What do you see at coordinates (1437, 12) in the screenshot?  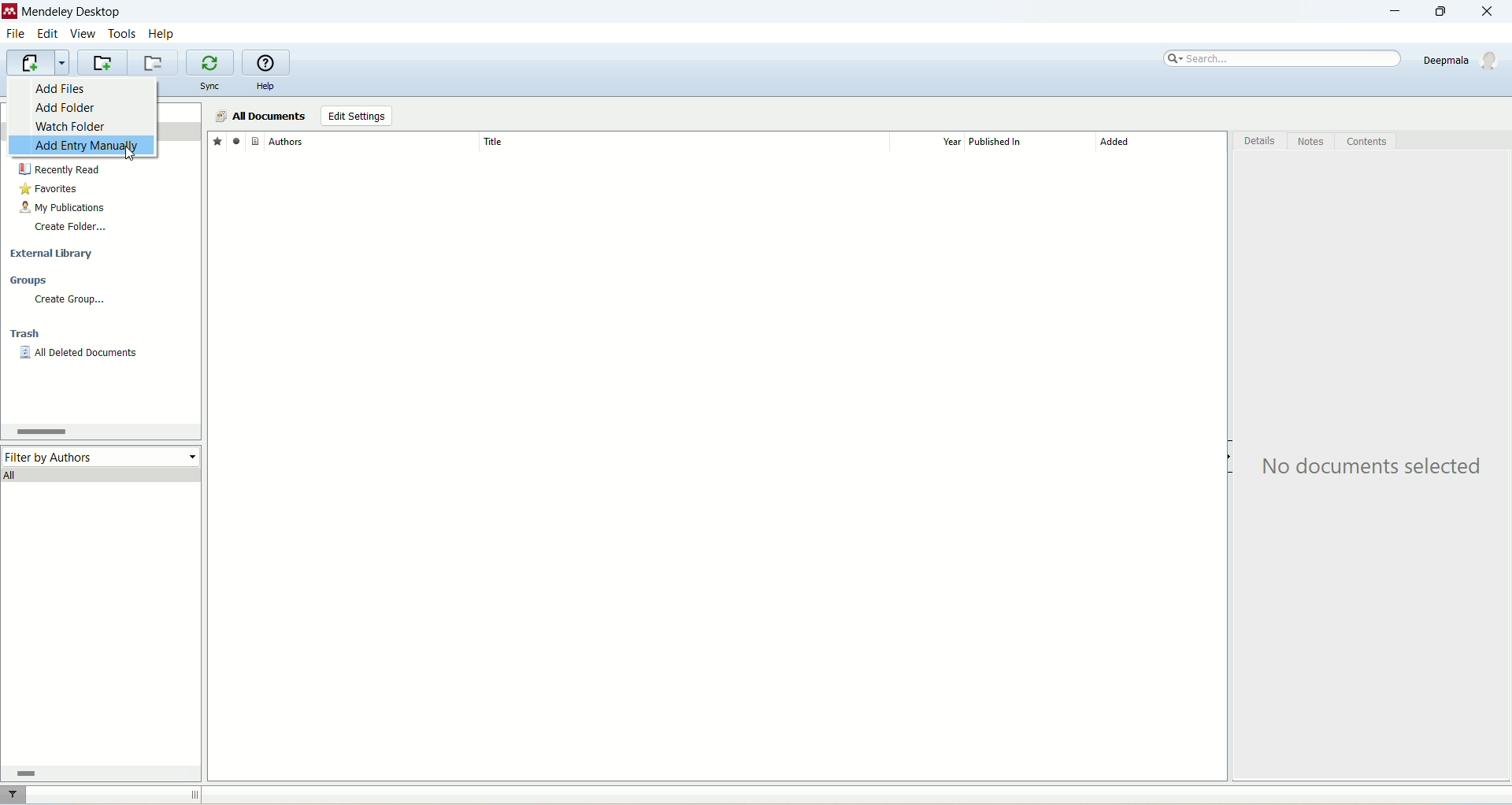 I see `maximize` at bounding box center [1437, 12].